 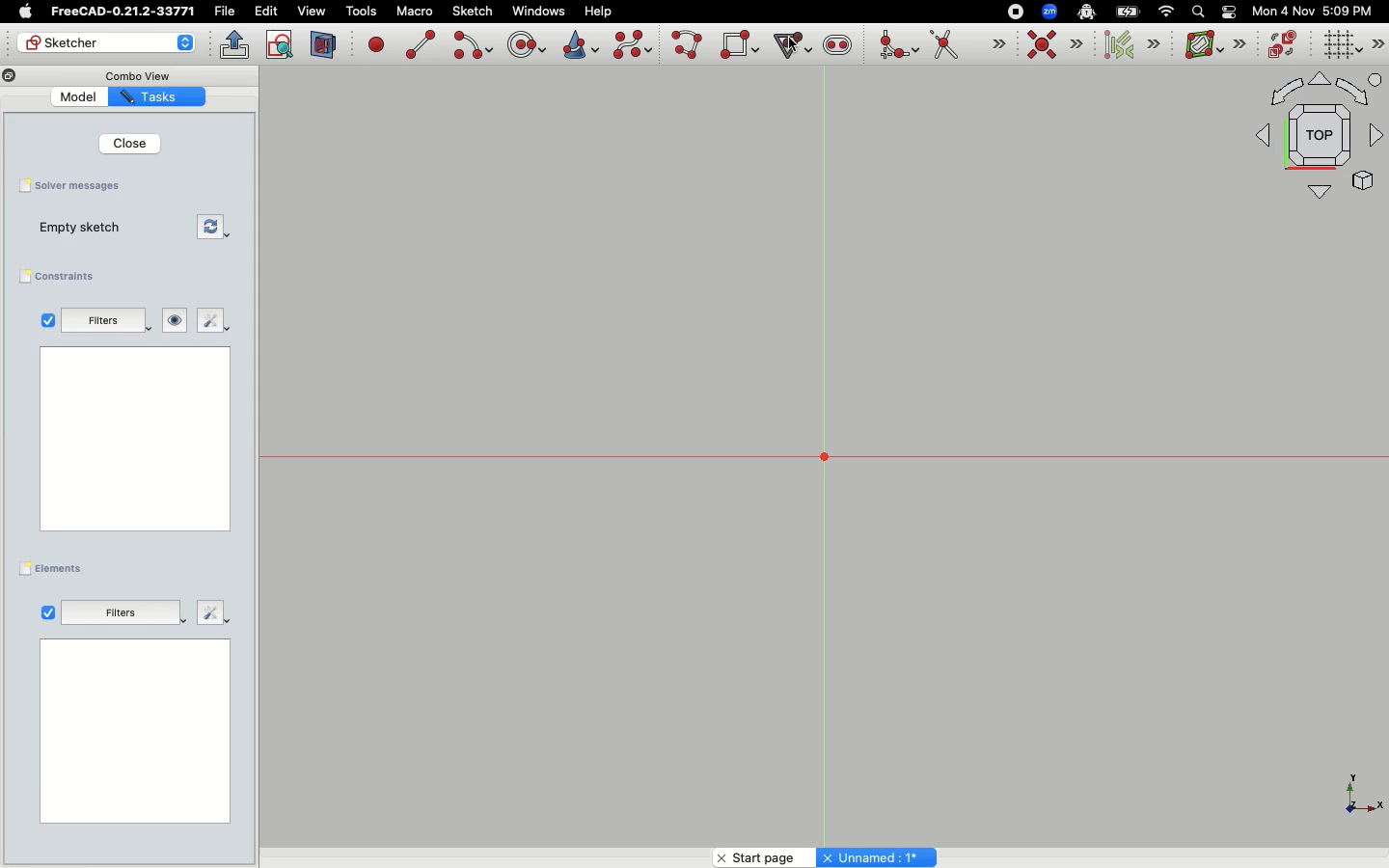 I want to click on Solver messages, so click(x=70, y=187).